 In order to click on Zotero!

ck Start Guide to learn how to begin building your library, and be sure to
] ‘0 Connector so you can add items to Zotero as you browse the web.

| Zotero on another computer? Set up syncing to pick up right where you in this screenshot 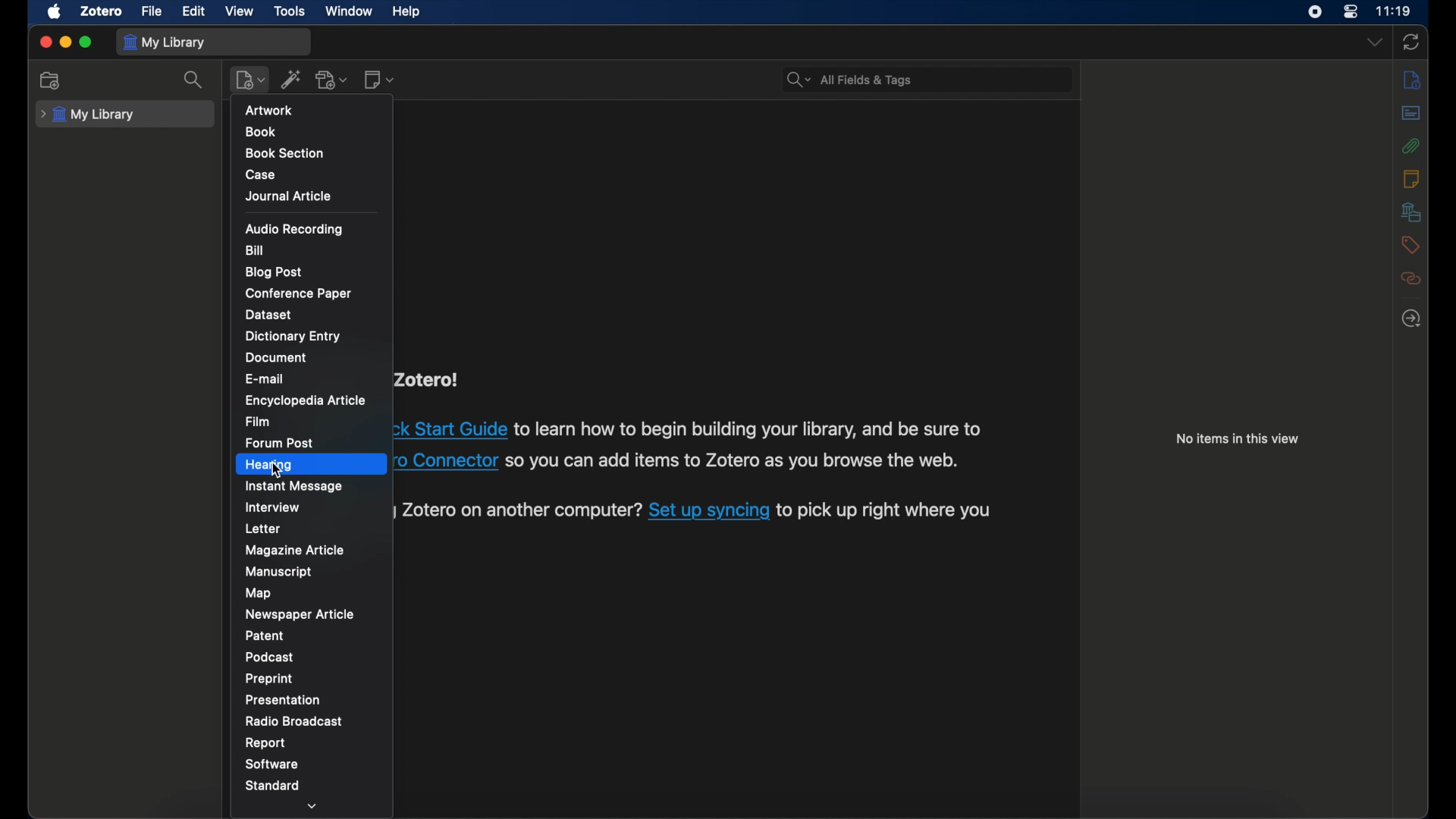, I will do `click(705, 453)`.